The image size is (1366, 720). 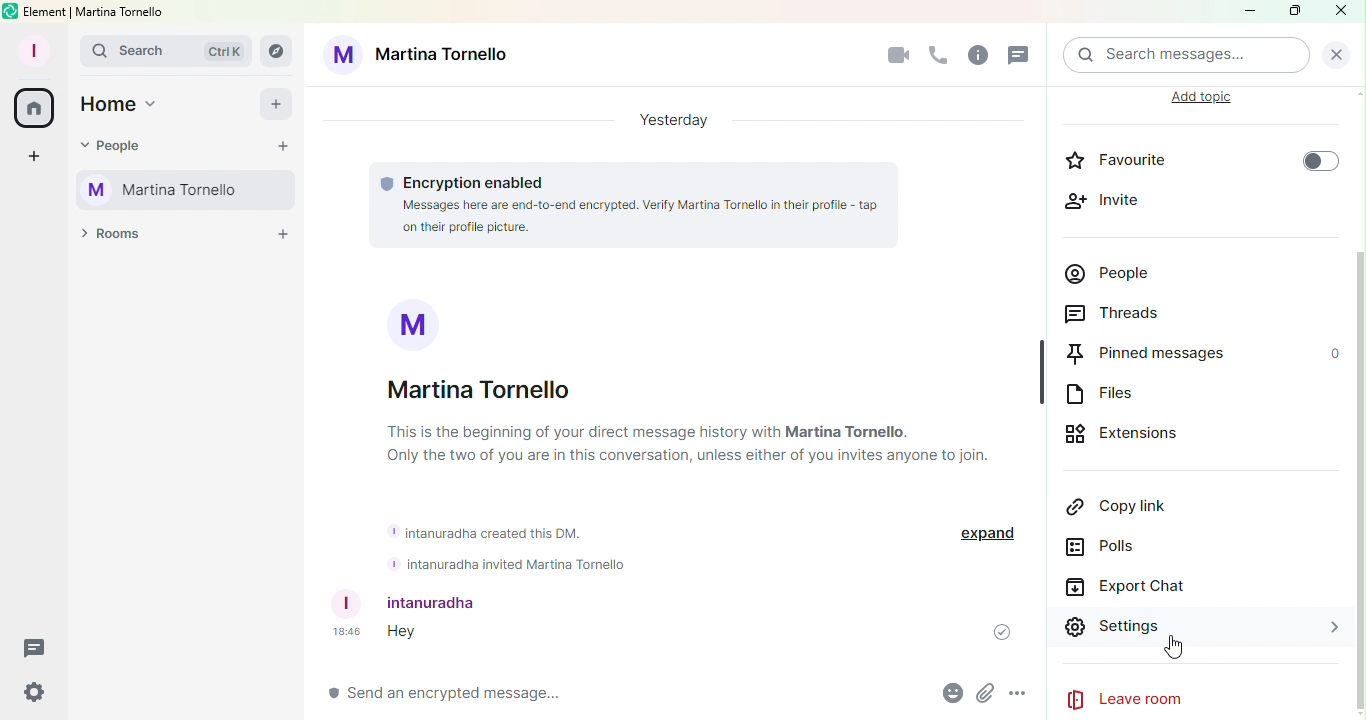 What do you see at coordinates (1150, 314) in the screenshot?
I see `Threads` at bounding box center [1150, 314].